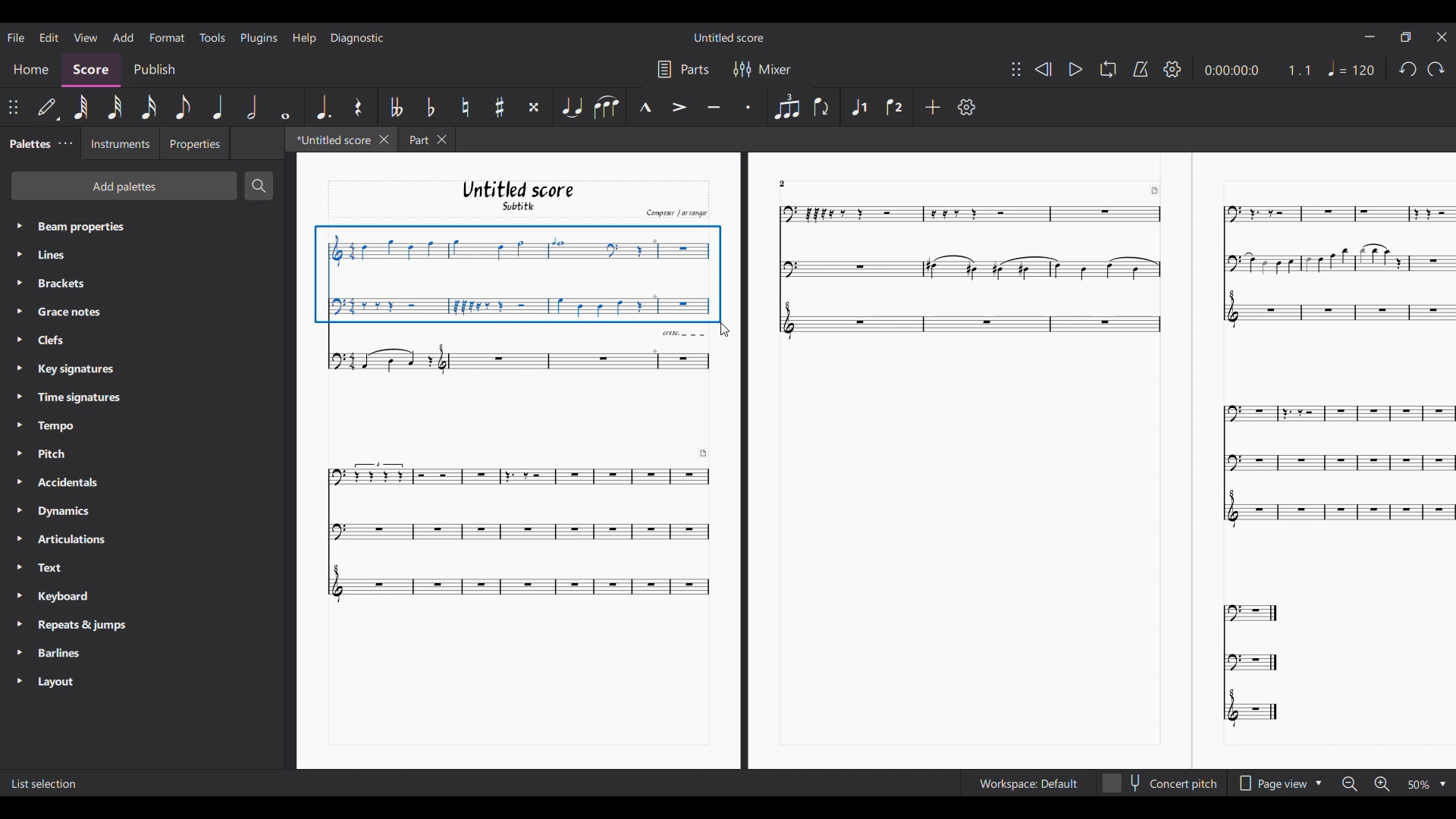 The height and width of the screenshot is (819, 1456). What do you see at coordinates (73, 598) in the screenshot?
I see `Keyboard` at bounding box center [73, 598].